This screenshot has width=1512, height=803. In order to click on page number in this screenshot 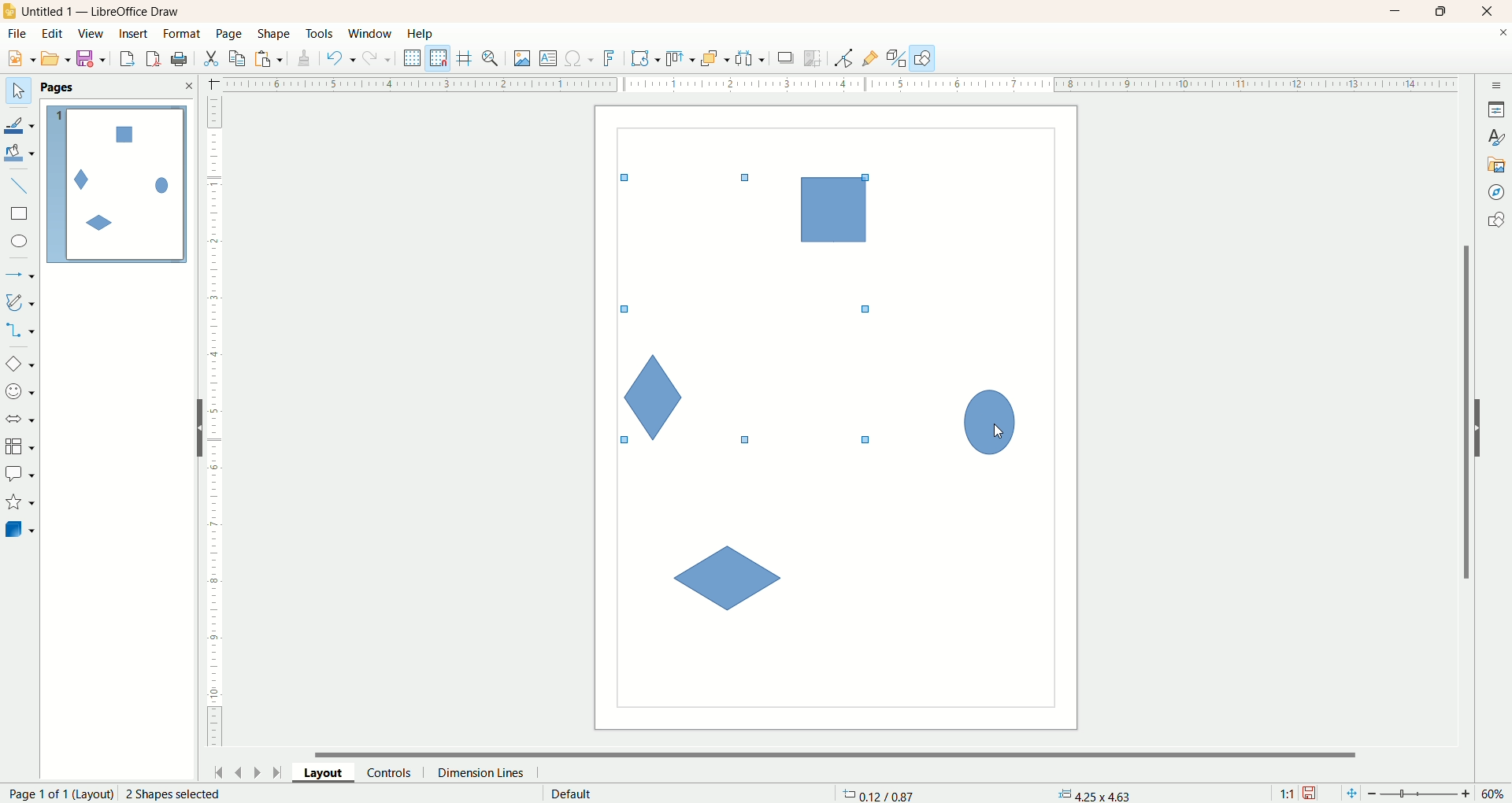, I will do `click(57, 794)`.